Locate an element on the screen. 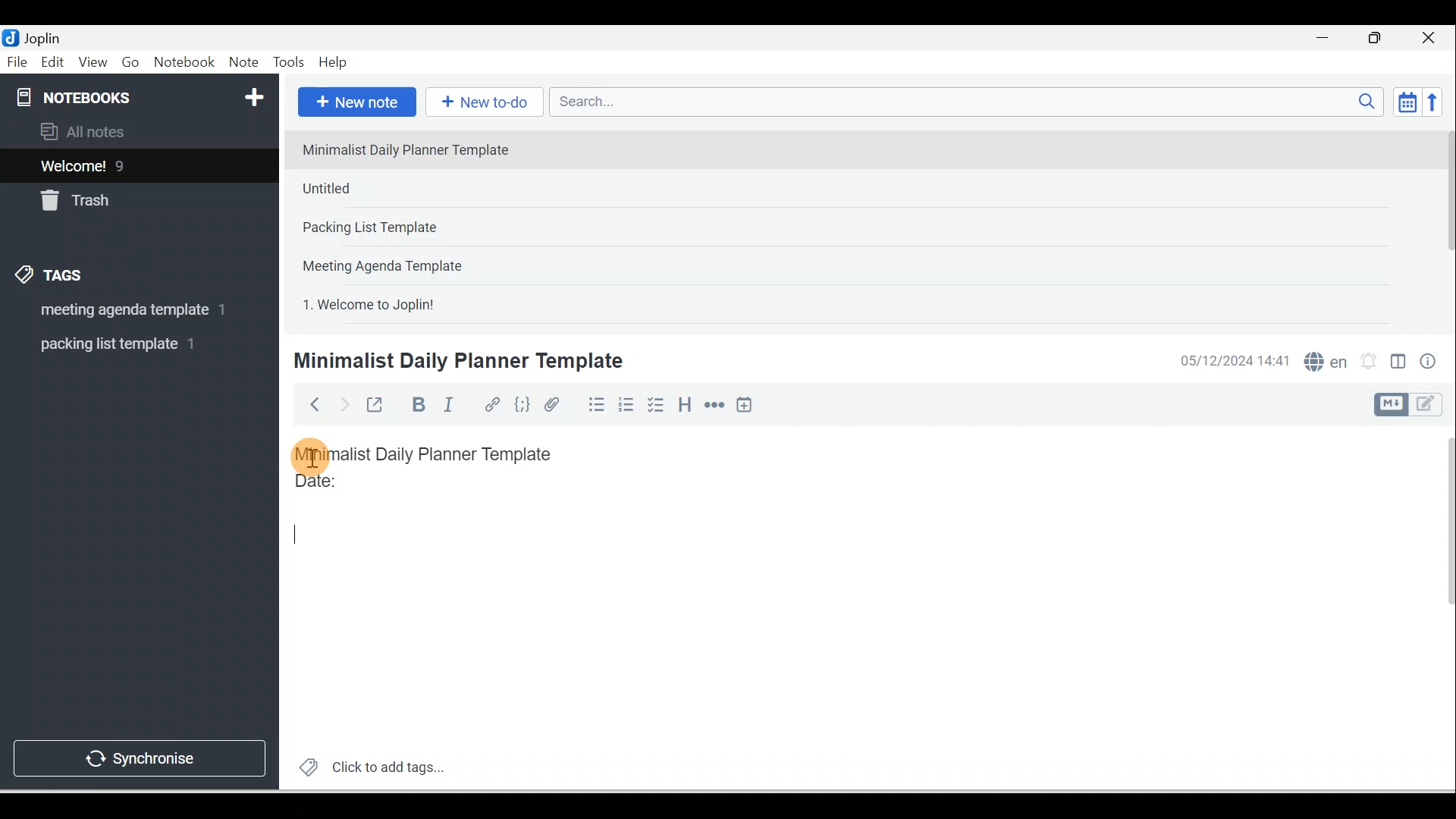 Image resolution: width=1456 pixels, height=819 pixels. Cursor is located at coordinates (311, 455).